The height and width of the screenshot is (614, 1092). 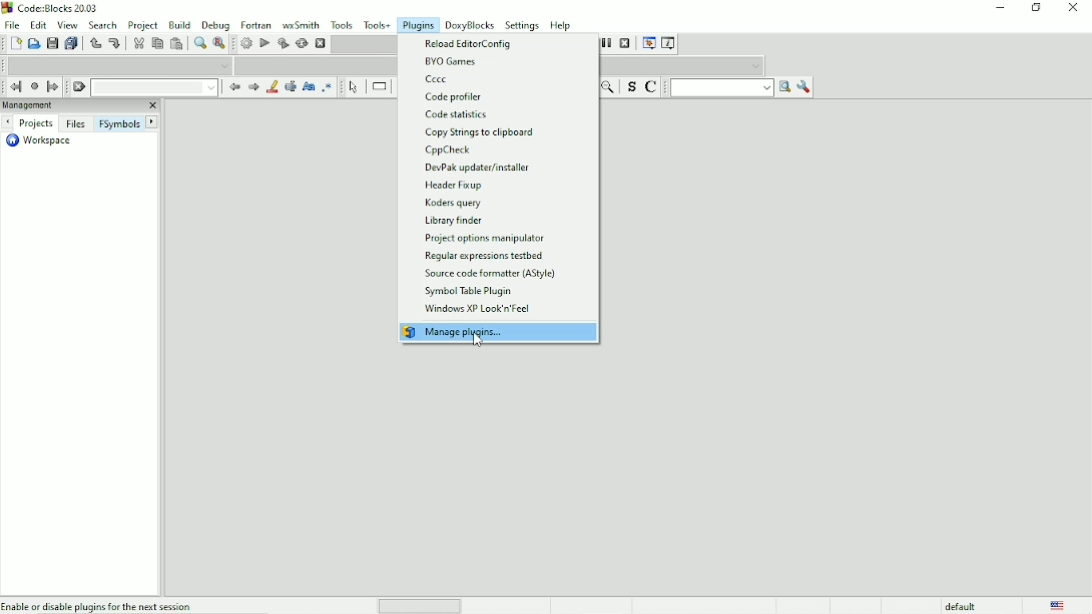 I want to click on Toggle comments, so click(x=652, y=88).